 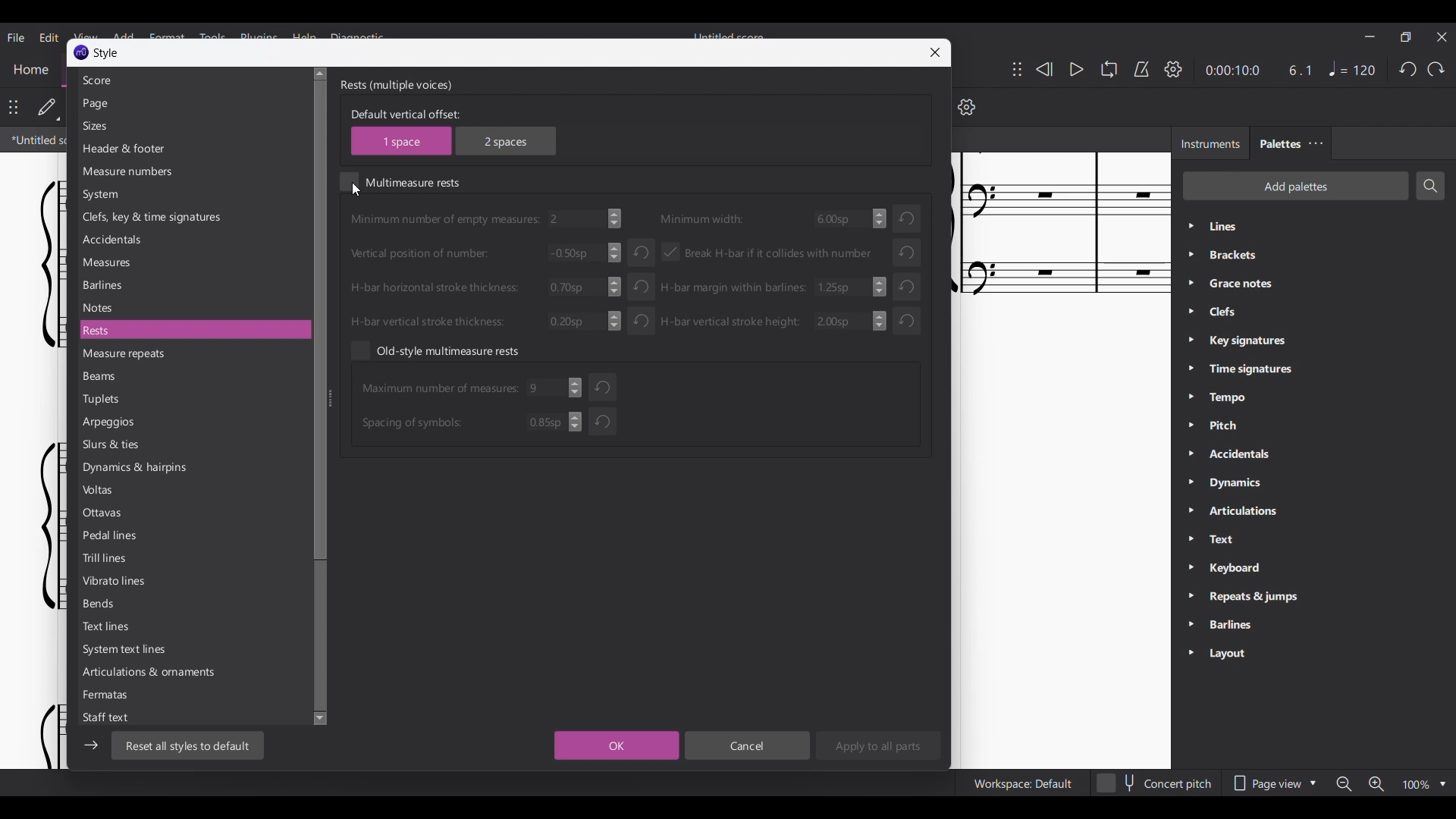 What do you see at coordinates (14, 107) in the screenshot?
I see `Change position of toolbar attached ` at bounding box center [14, 107].